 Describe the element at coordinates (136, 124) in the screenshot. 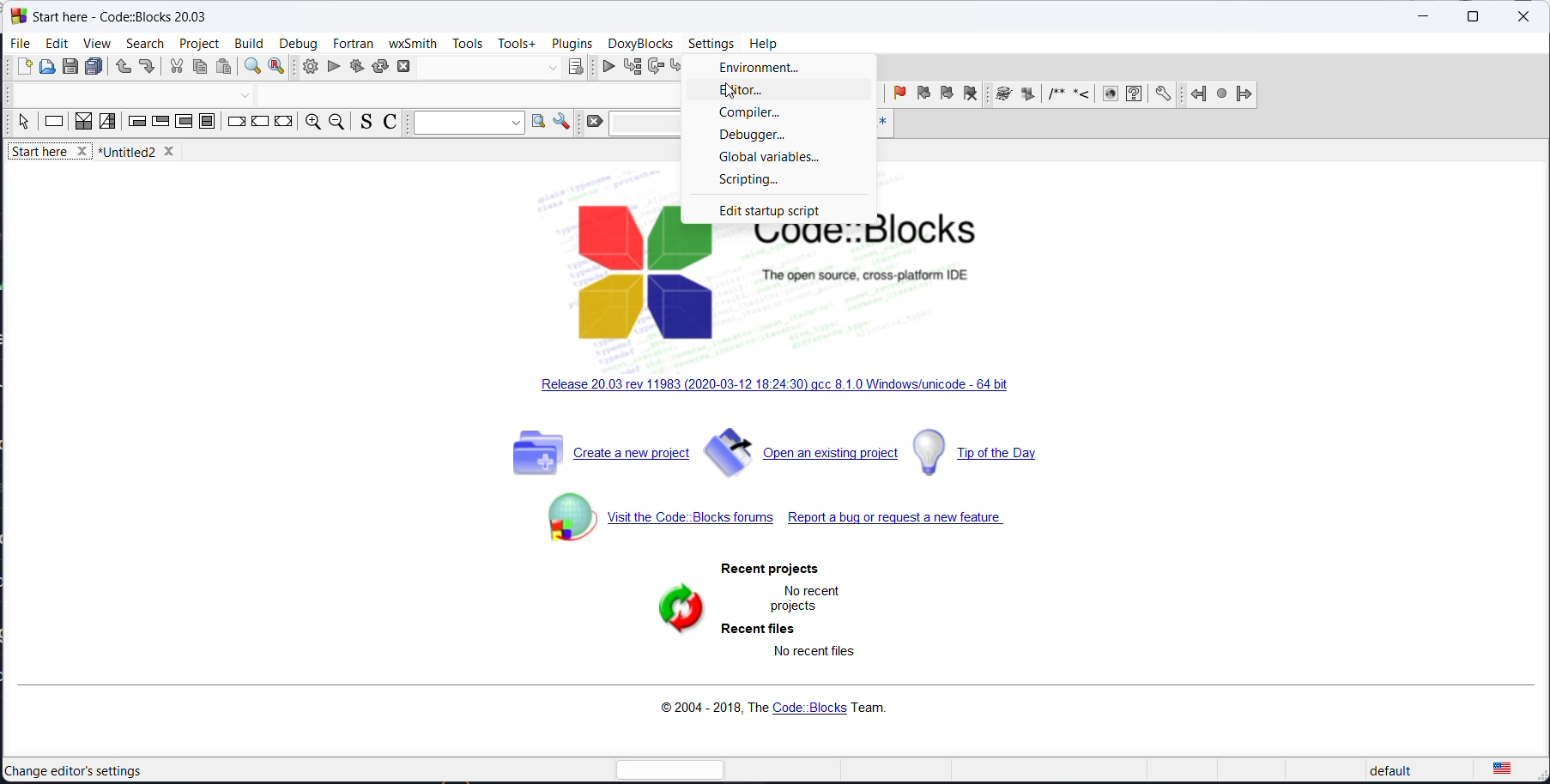

I see `entry condition loop` at that location.